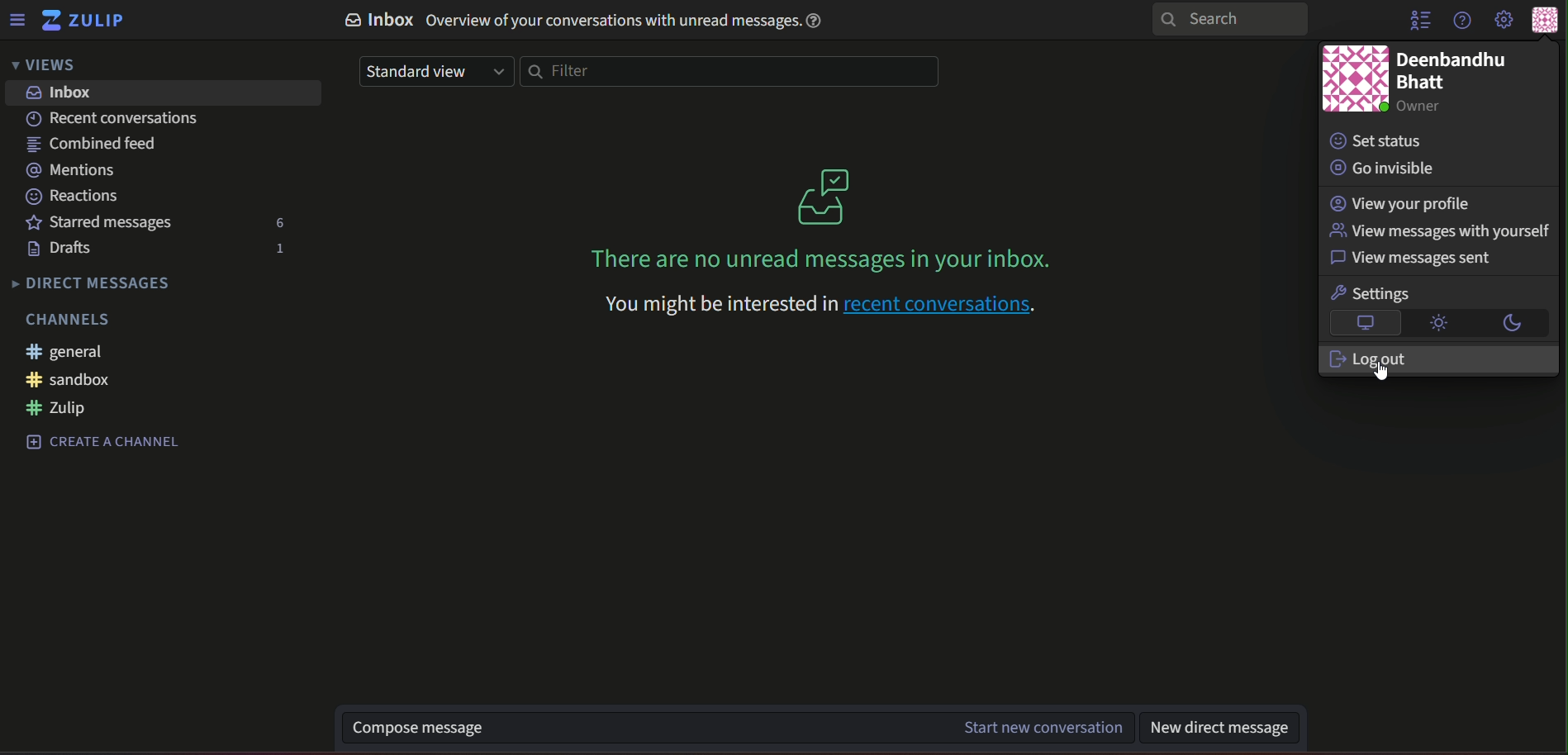 The height and width of the screenshot is (755, 1568). I want to click on #sandbox, so click(69, 380).